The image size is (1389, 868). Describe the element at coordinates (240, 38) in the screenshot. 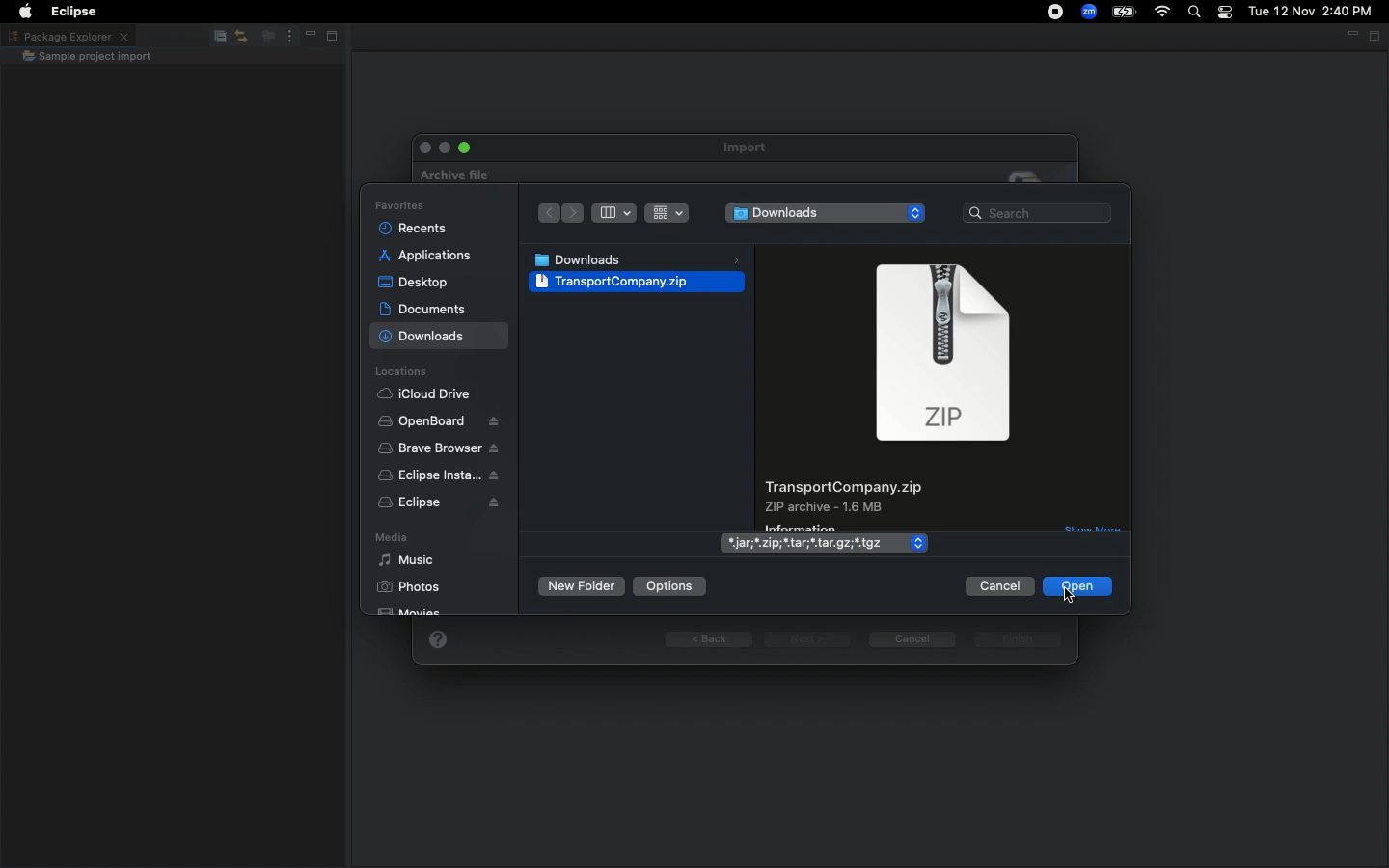

I see `Link with editor` at that location.